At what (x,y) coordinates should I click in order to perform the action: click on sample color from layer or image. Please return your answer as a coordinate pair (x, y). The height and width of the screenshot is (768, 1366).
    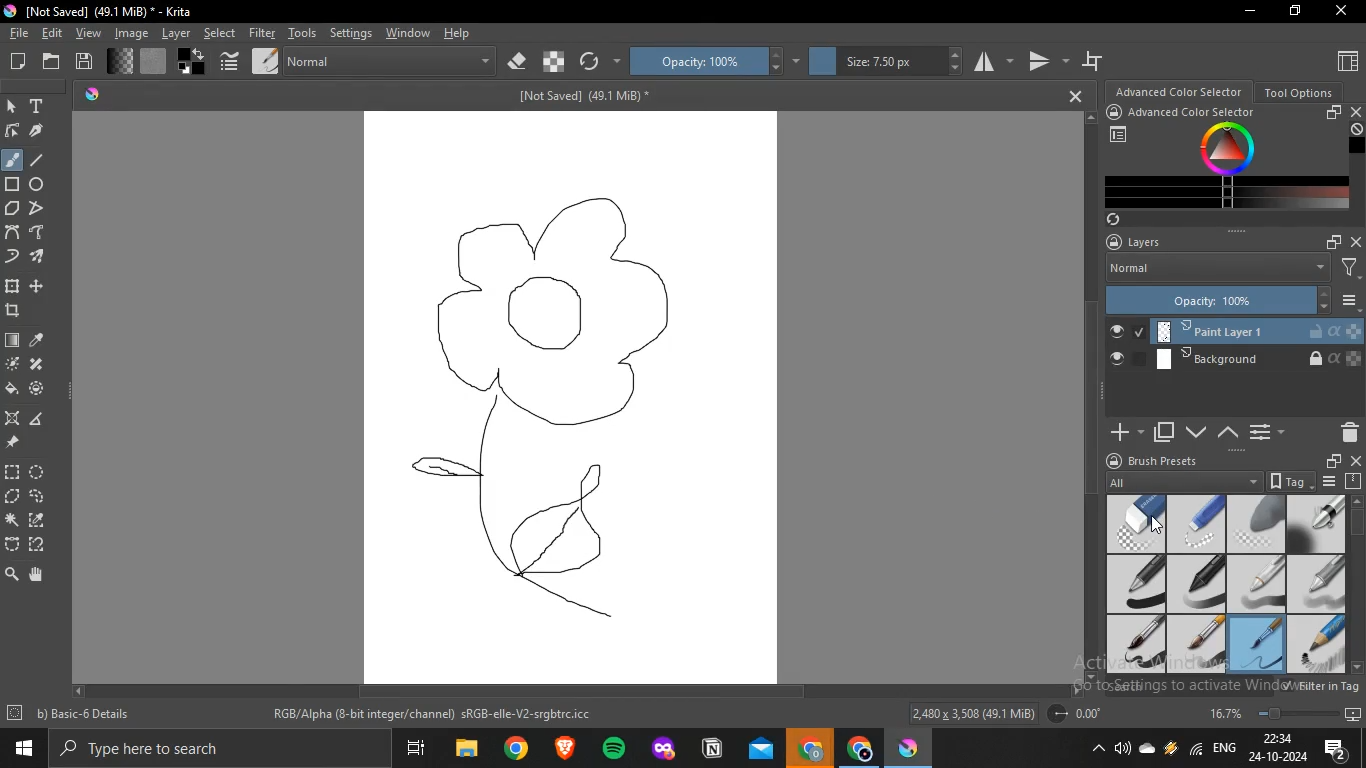
    Looking at the image, I should click on (38, 341).